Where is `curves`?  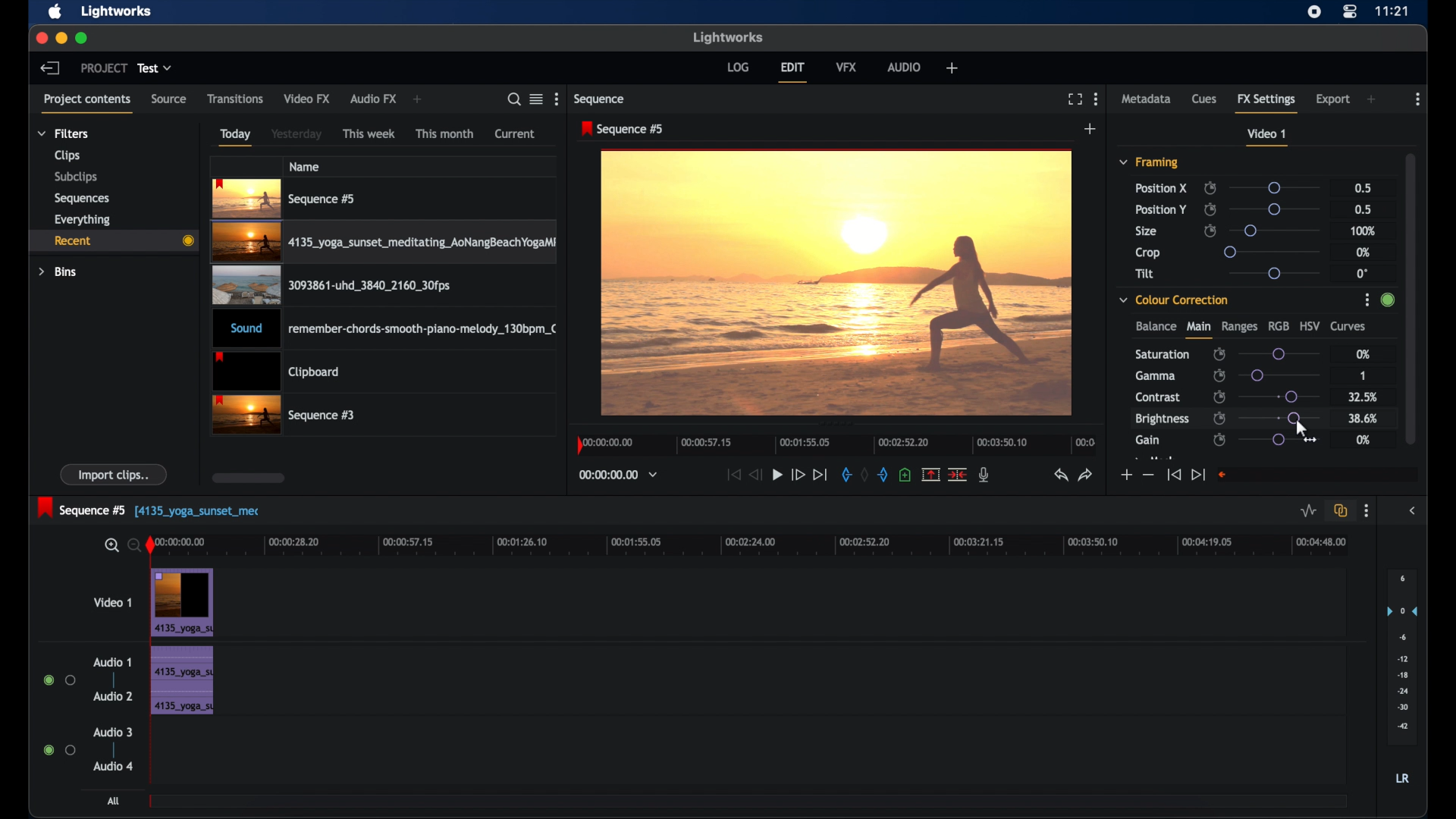
curves is located at coordinates (1348, 327).